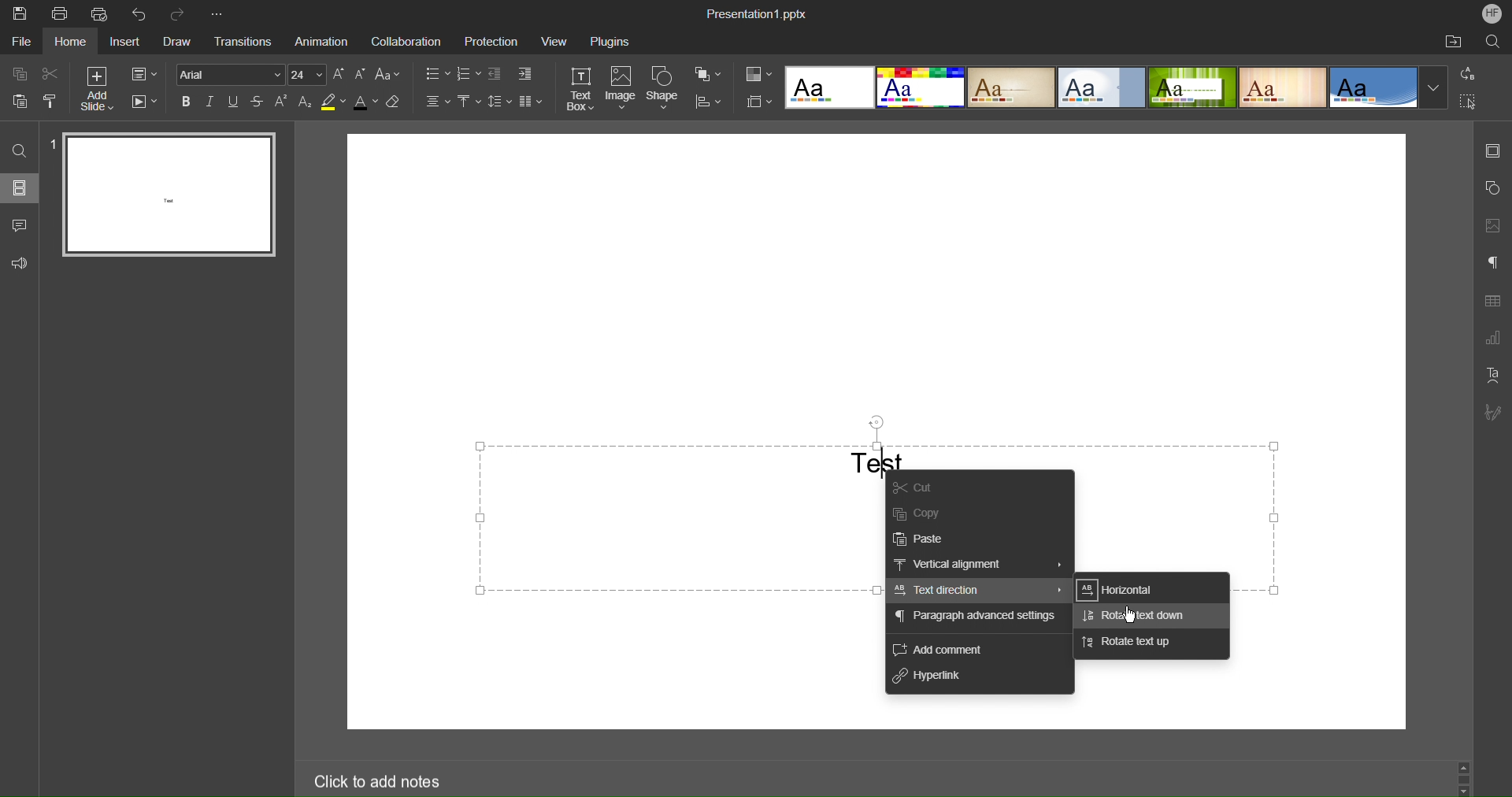 The width and height of the screenshot is (1512, 797). Describe the element at coordinates (183, 41) in the screenshot. I see `Draw` at that location.